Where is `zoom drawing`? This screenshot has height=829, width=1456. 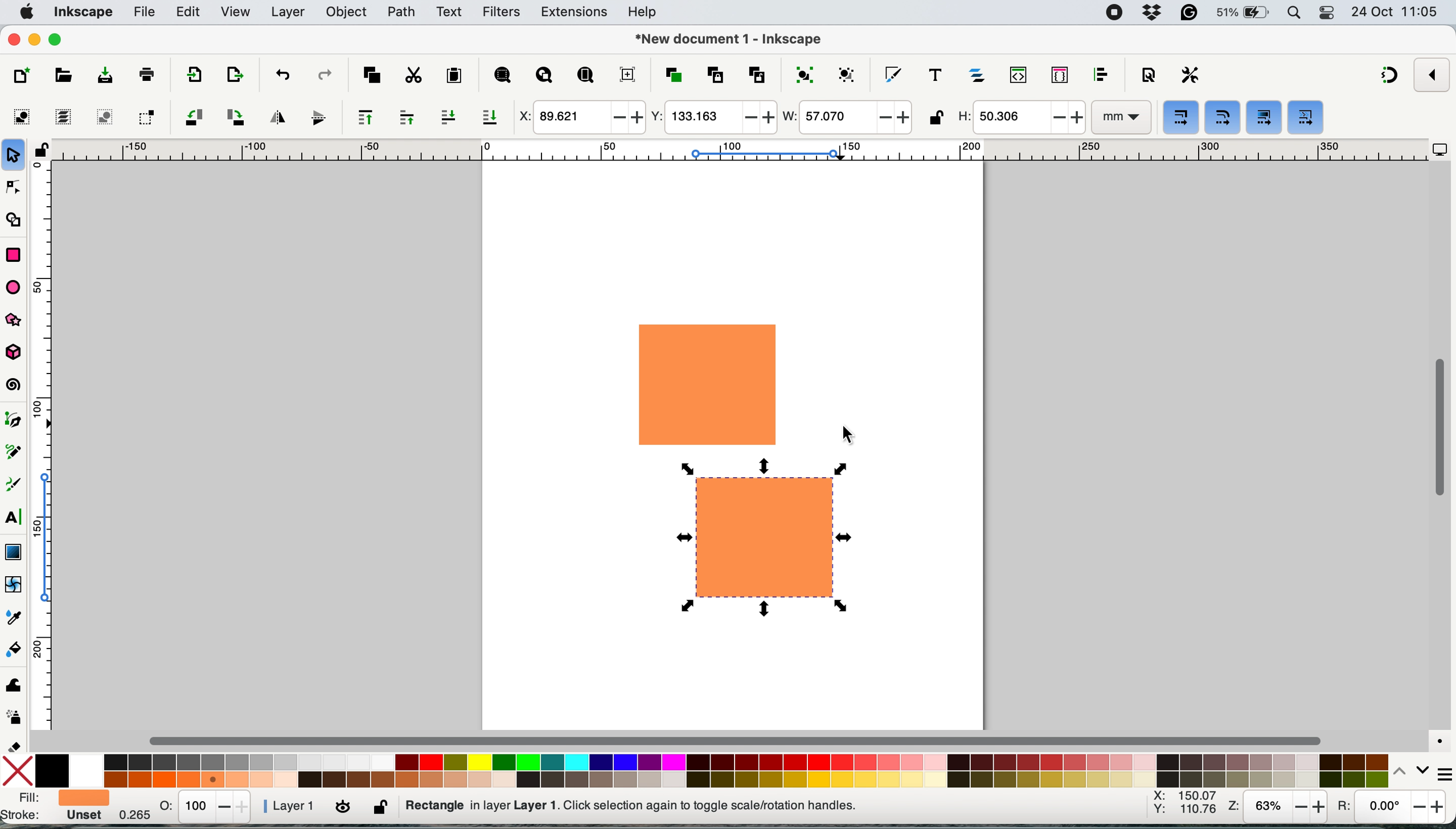
zoom drawing is located at coordinates (544, 77).